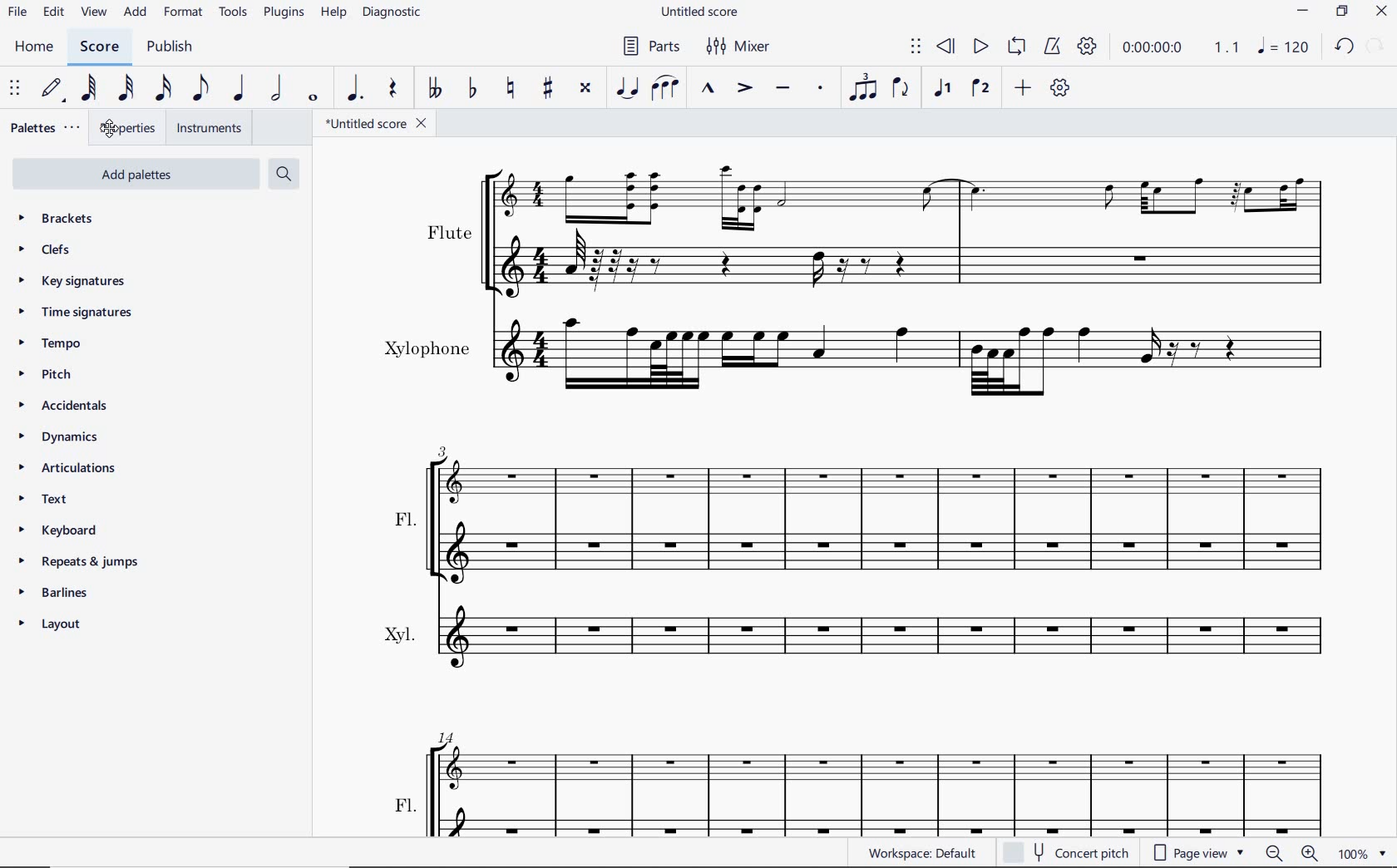 The image size is (1397, 868). Describe the element at coordinates (333, 16) in the screenshot. I see `HELP` at that location.